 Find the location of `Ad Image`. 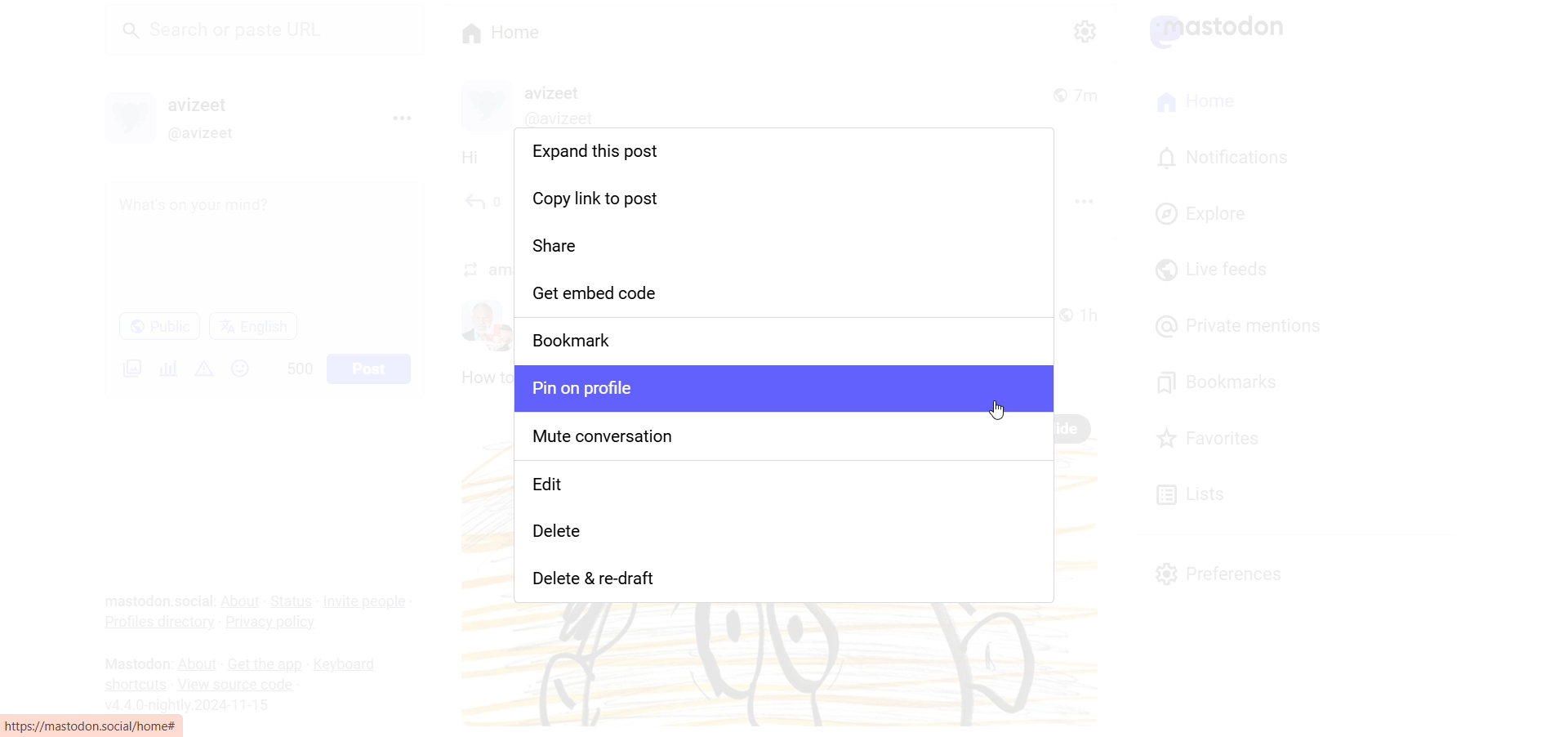

Ad Image is located at coordinates (129, 368).